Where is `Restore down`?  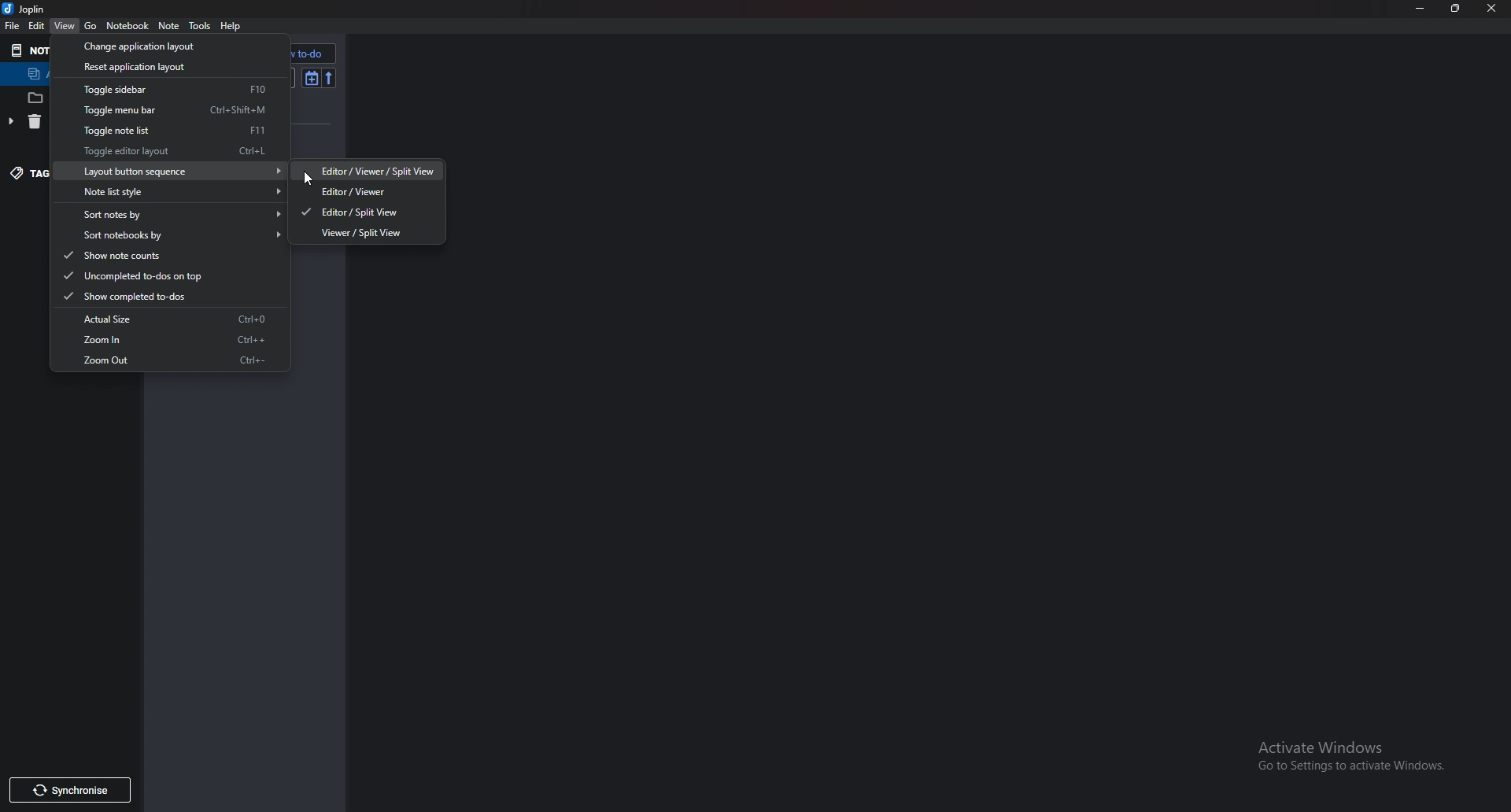 Restore down is located at coordinates (1455, 7).